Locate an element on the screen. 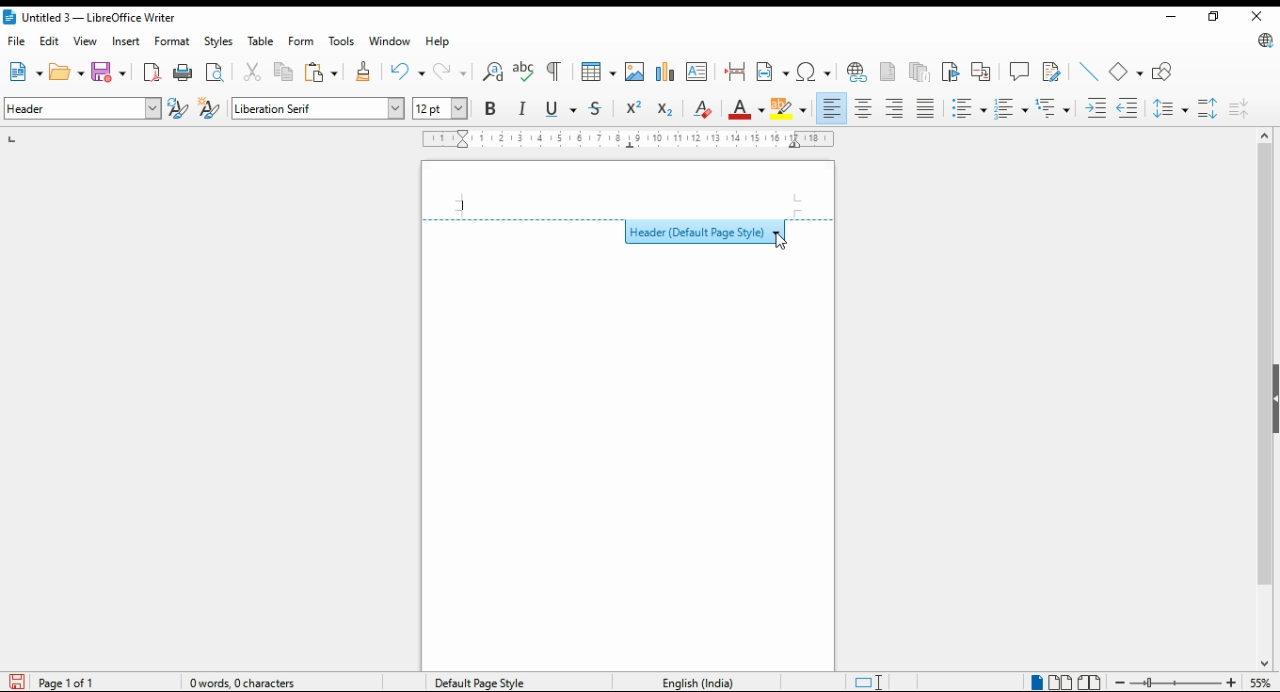 The image size is (1280, 692). insert hyperlink is located at coordinates (858, 72).